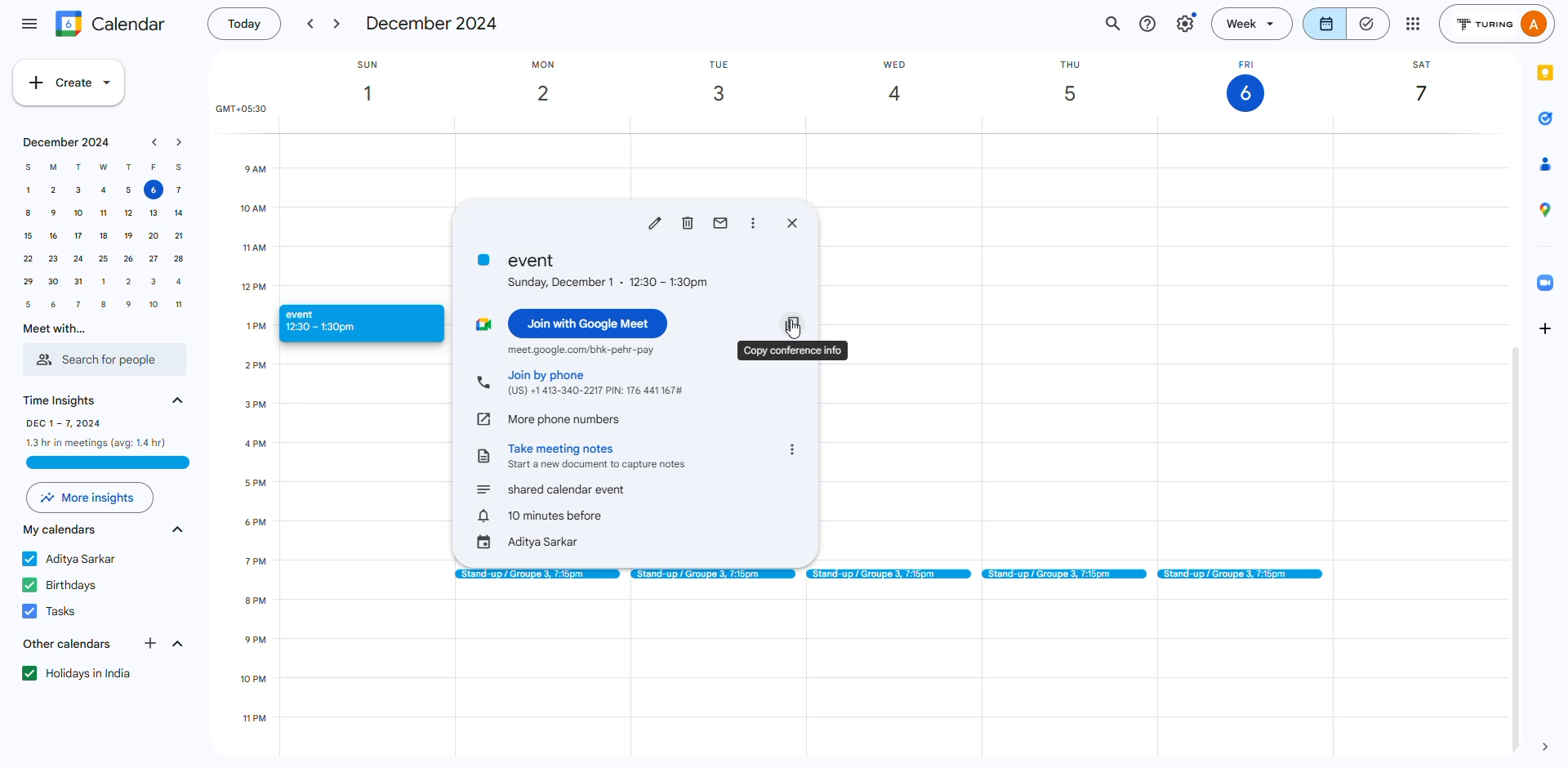 This screenshot has width=1568, height=768. Describe the element at coordinates (590, 321) in the screenshot. I see `joi` at that location.